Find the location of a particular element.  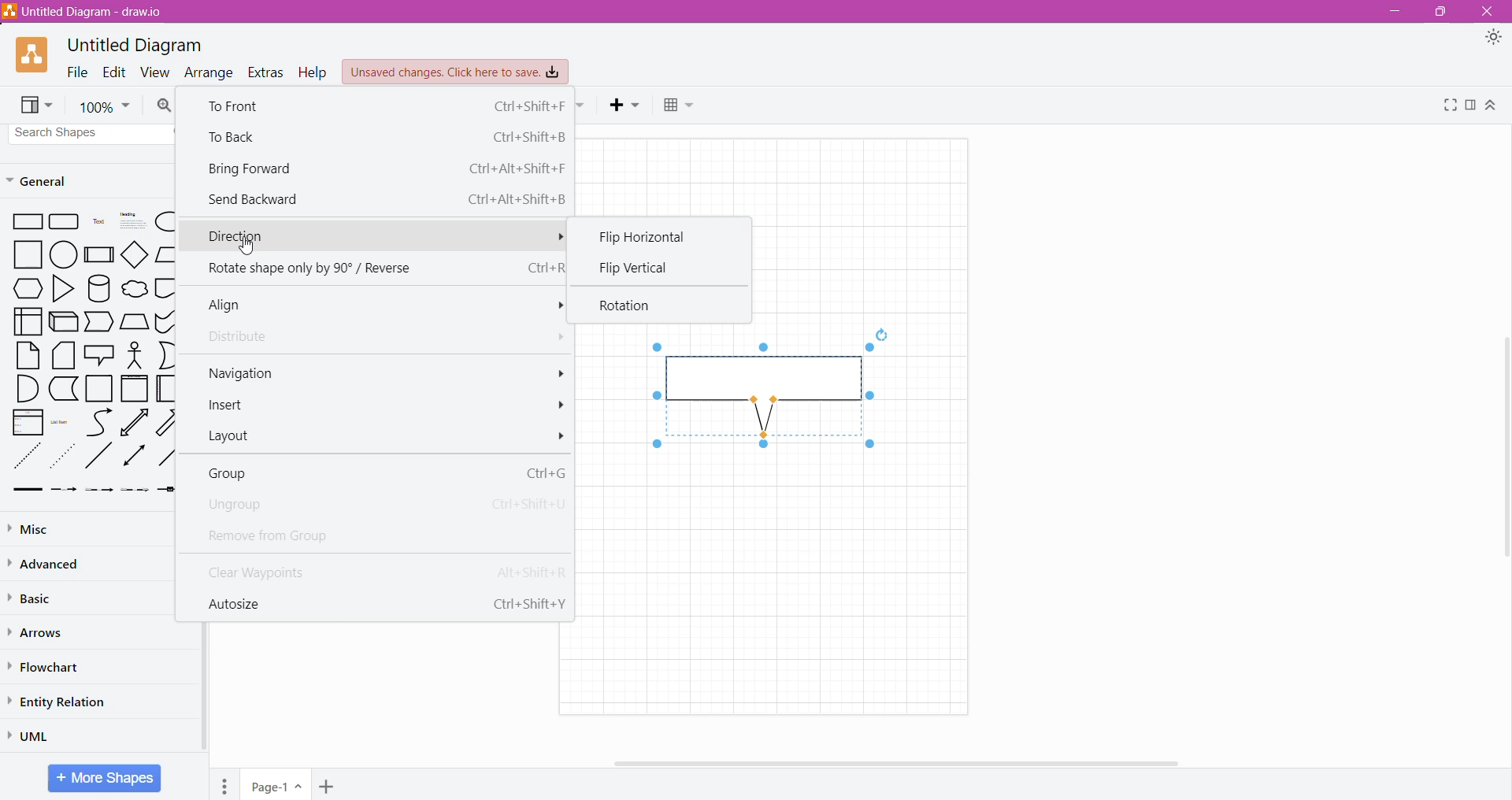

reload is located at coordinates (881, 333).